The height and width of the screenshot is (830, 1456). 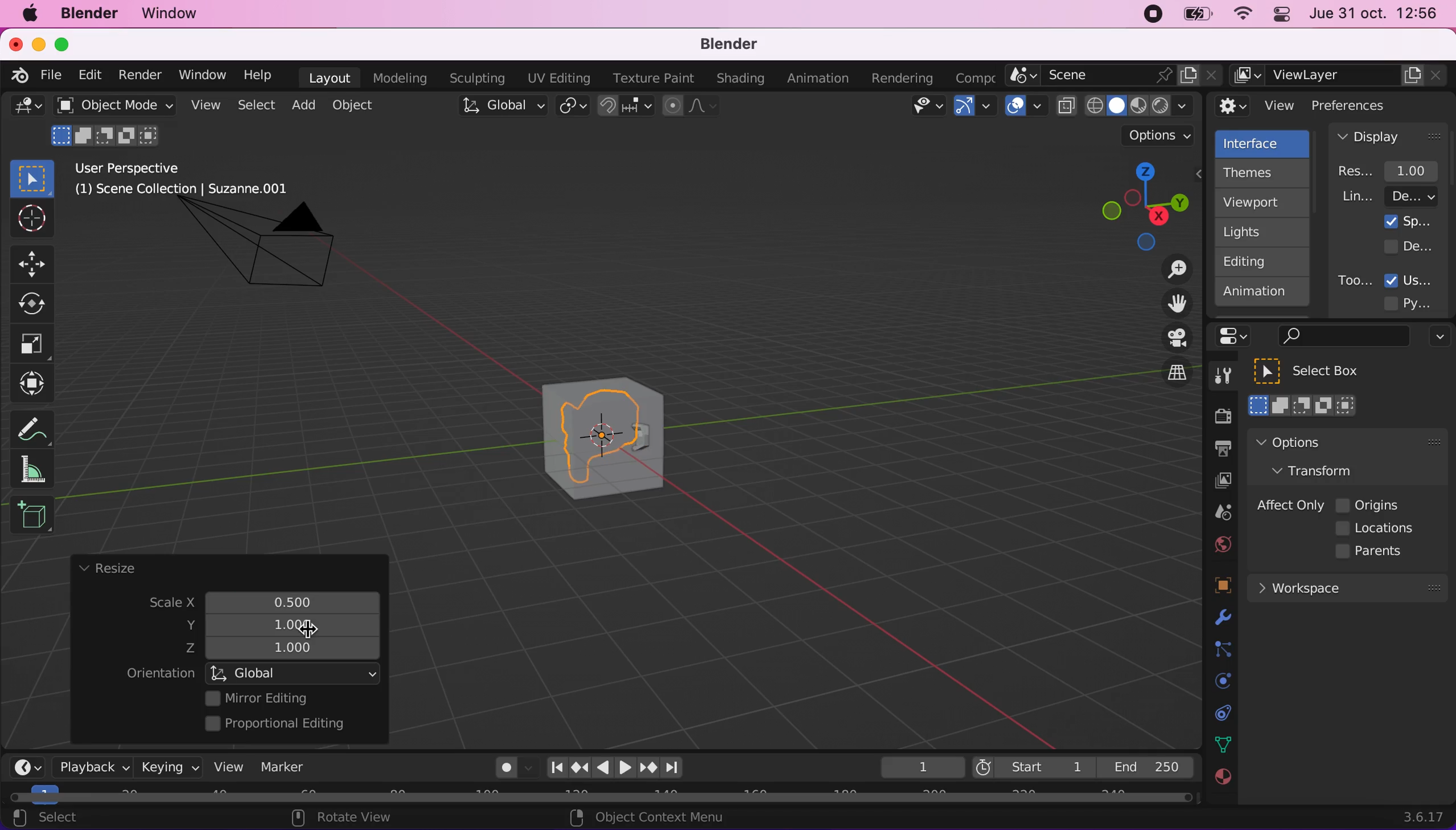 What do you see at coordinates (282, 599) in the screenshot?
I see `scale x` at bounding box center [282, 599].